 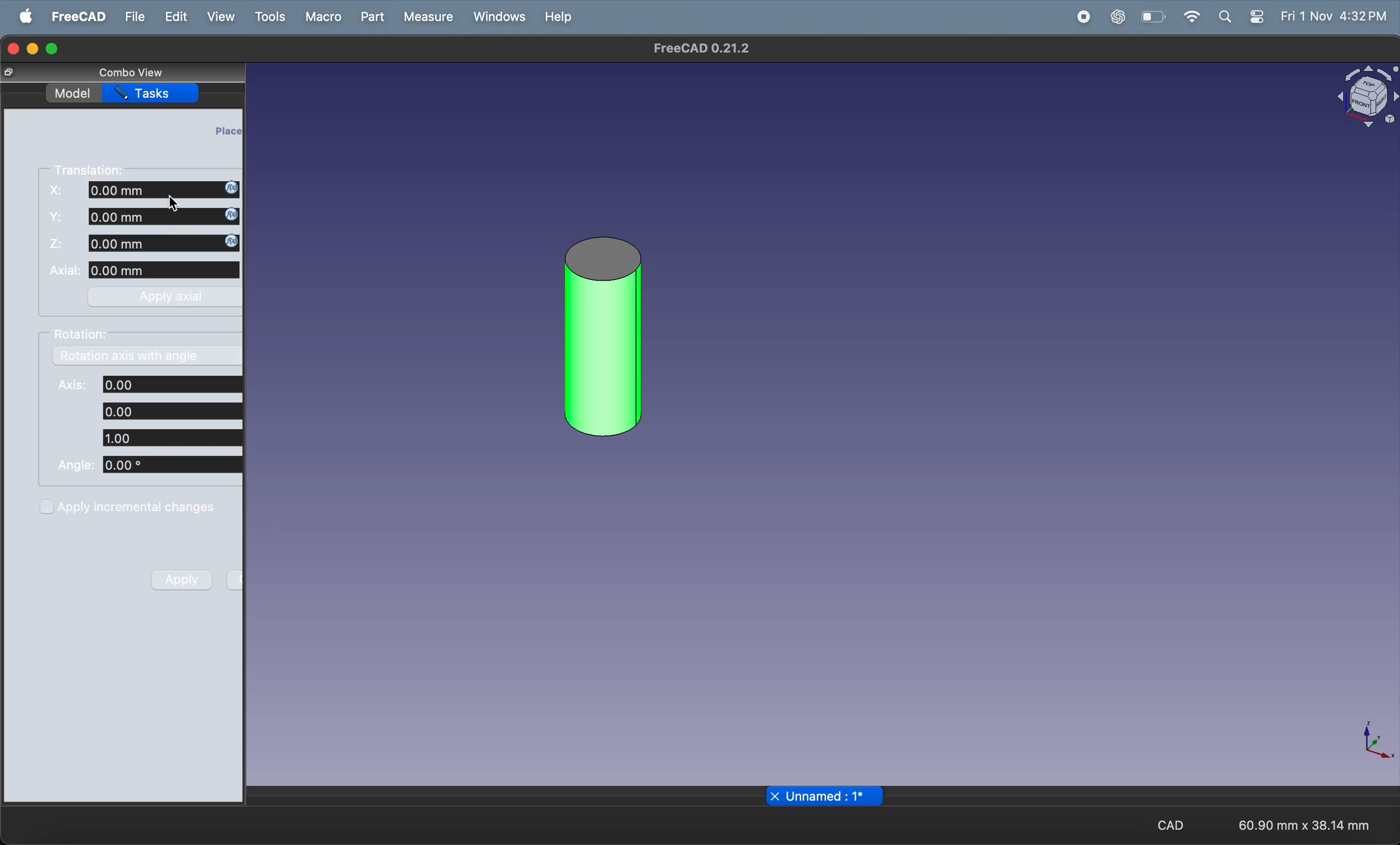 I want to click on record, so click(x=1080, y=17).